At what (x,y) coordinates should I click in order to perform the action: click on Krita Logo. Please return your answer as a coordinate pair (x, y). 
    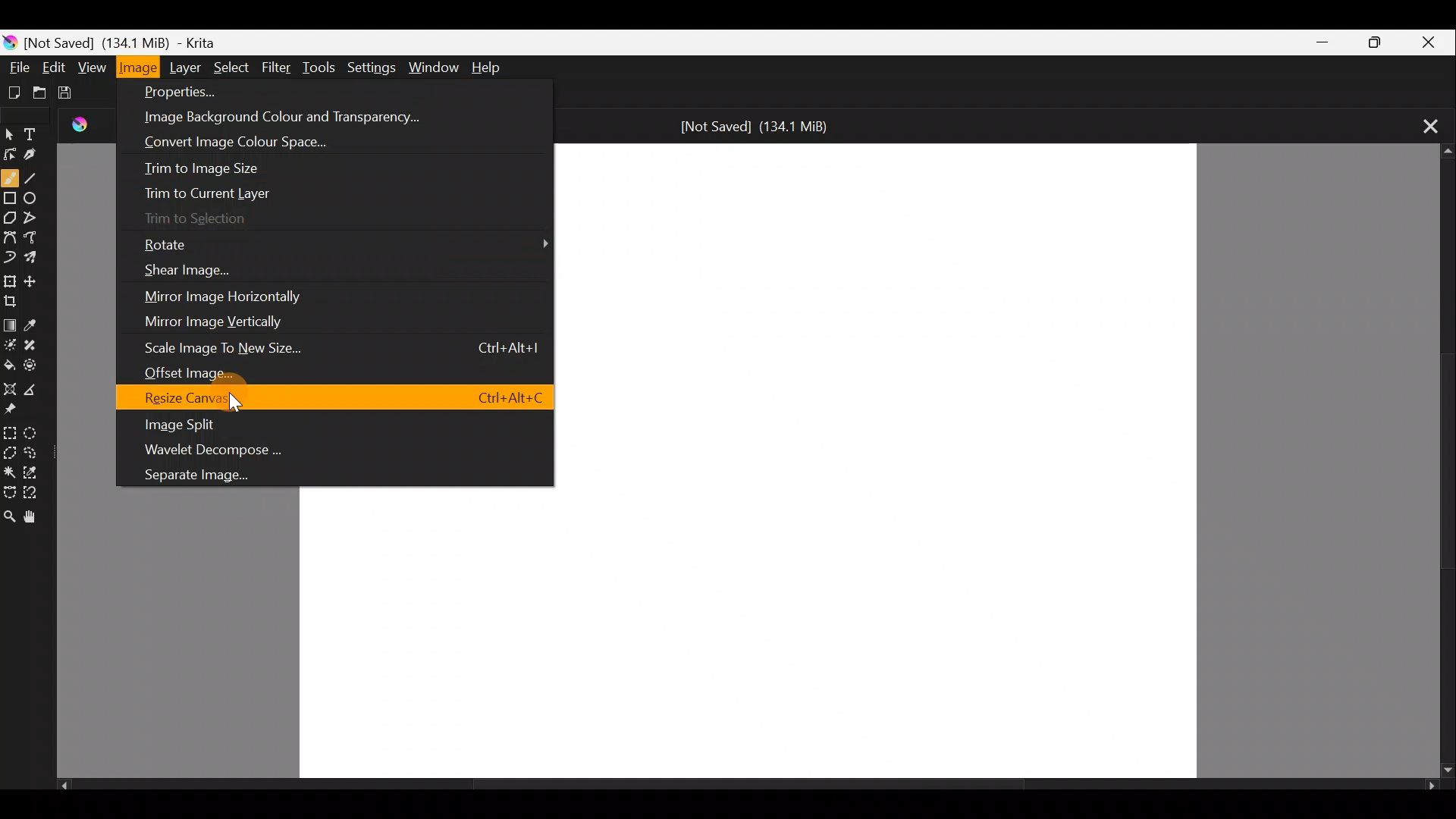
    Looking at the image, I should click on (11, 39).